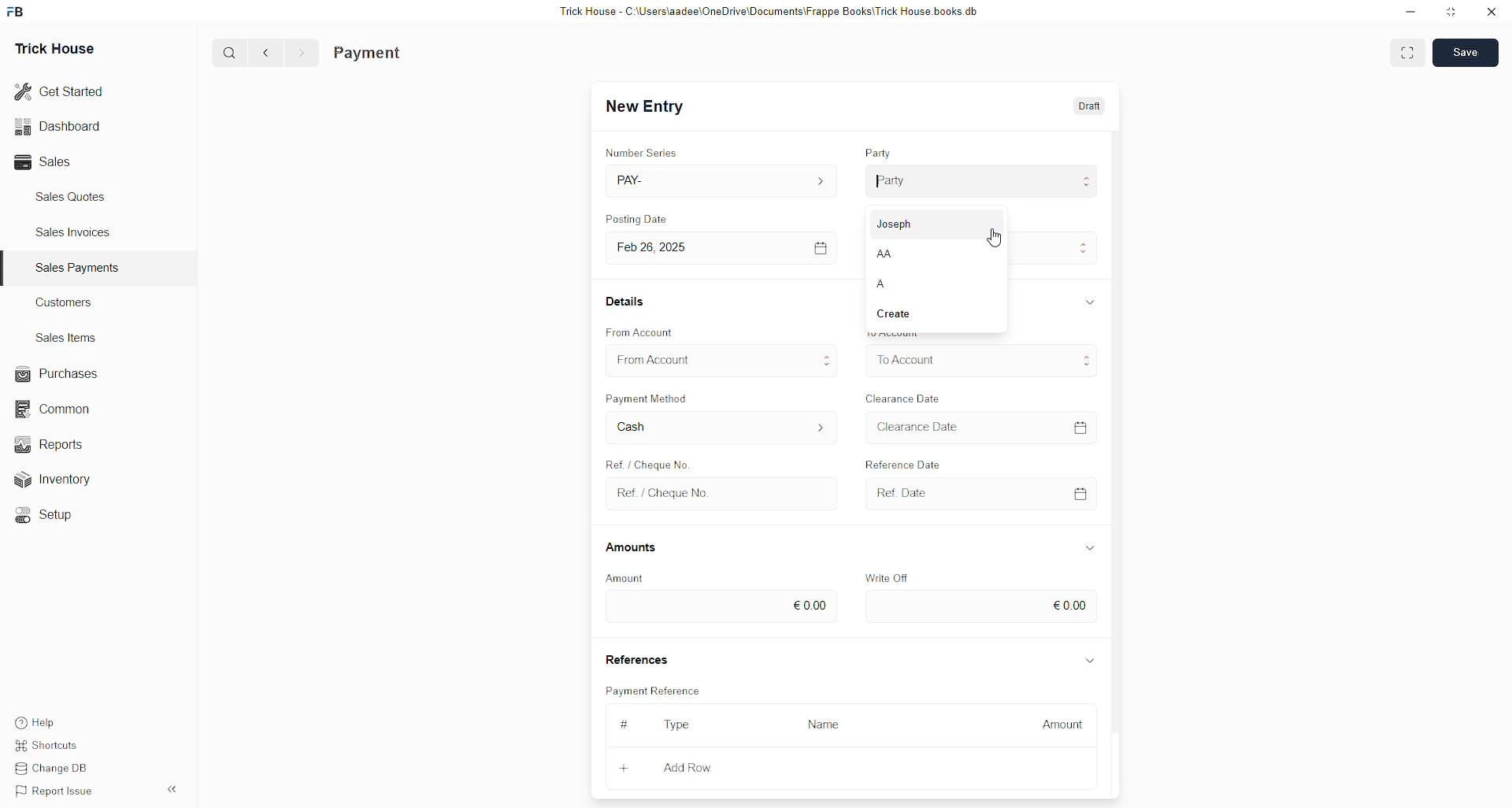  Describe the element at coordinates (636, 218) in the screenshot. I see `Posting Date` at that location.